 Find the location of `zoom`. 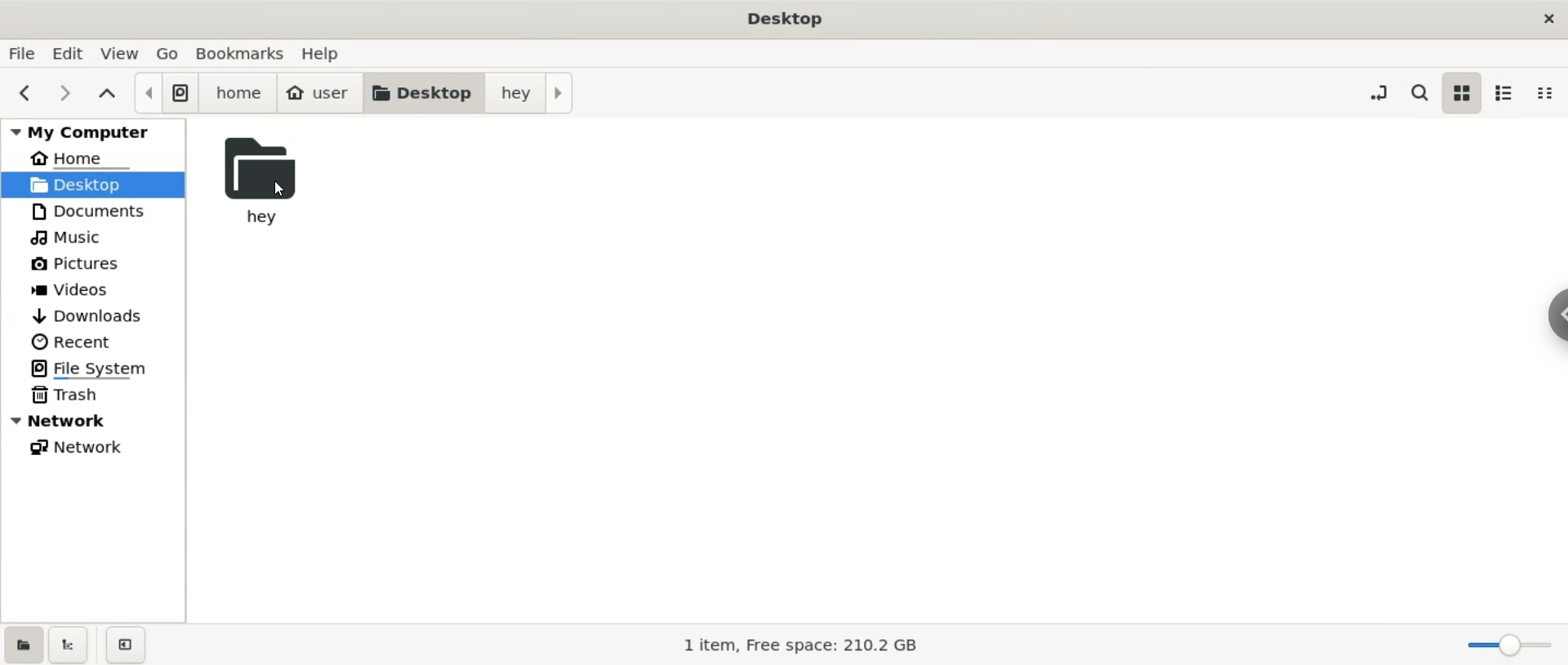

zoom is located at coordinates (1510, 646).